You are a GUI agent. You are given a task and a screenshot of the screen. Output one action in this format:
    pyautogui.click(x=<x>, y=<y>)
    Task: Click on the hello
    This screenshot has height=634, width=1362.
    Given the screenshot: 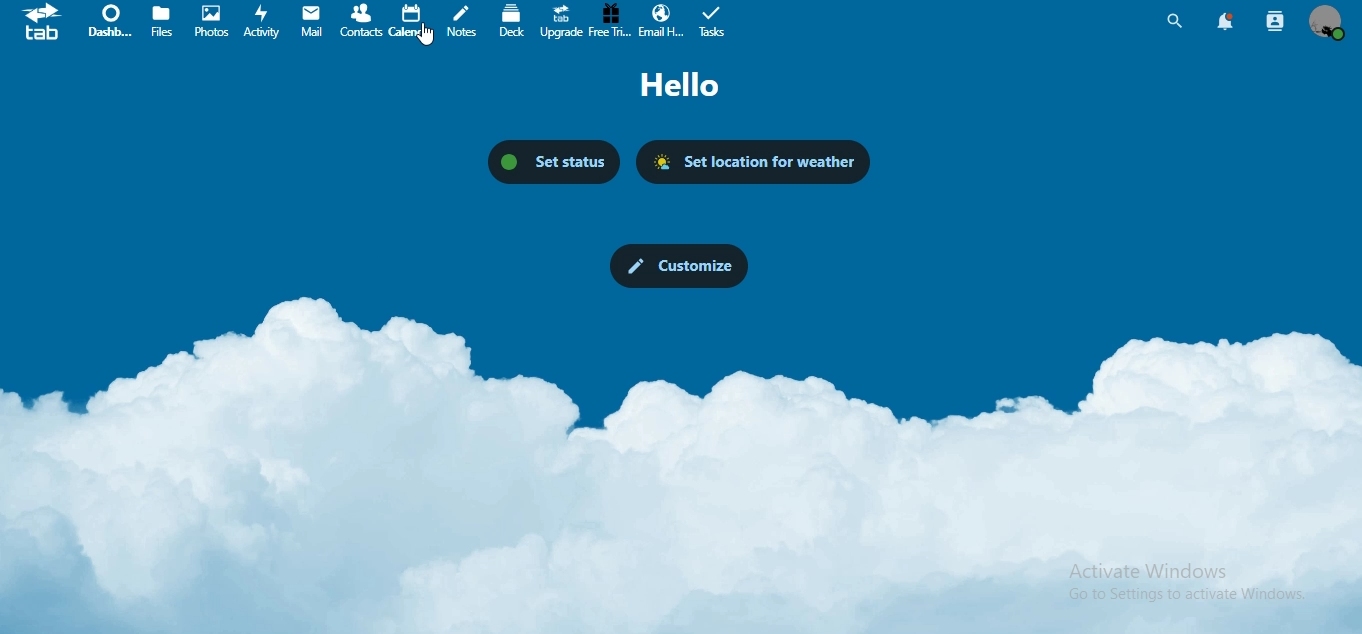 What is the action you would take?
    pyautogui.click(x=689, y=87)
    